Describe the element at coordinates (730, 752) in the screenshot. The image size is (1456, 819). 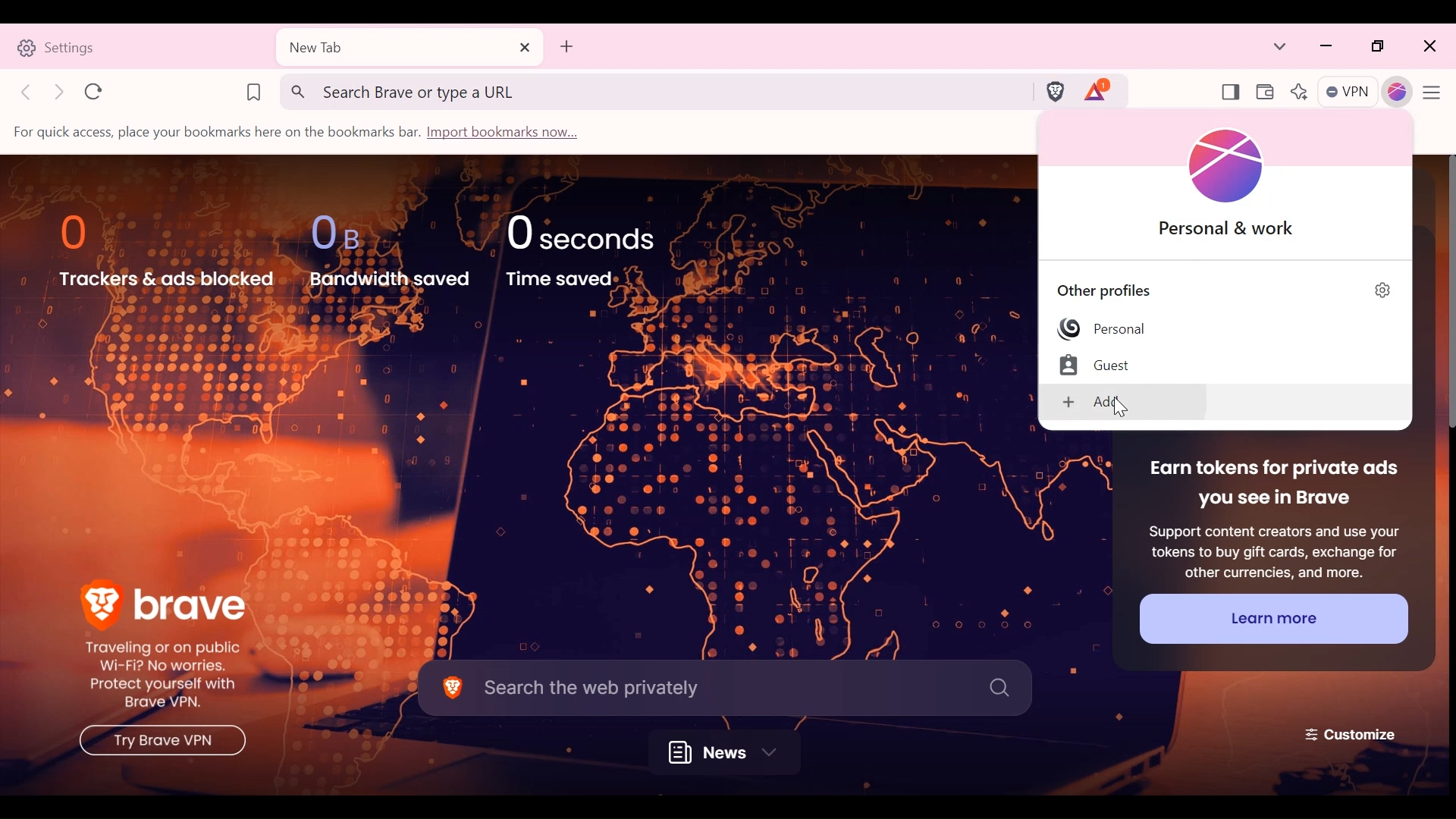
I see `News` at that location.